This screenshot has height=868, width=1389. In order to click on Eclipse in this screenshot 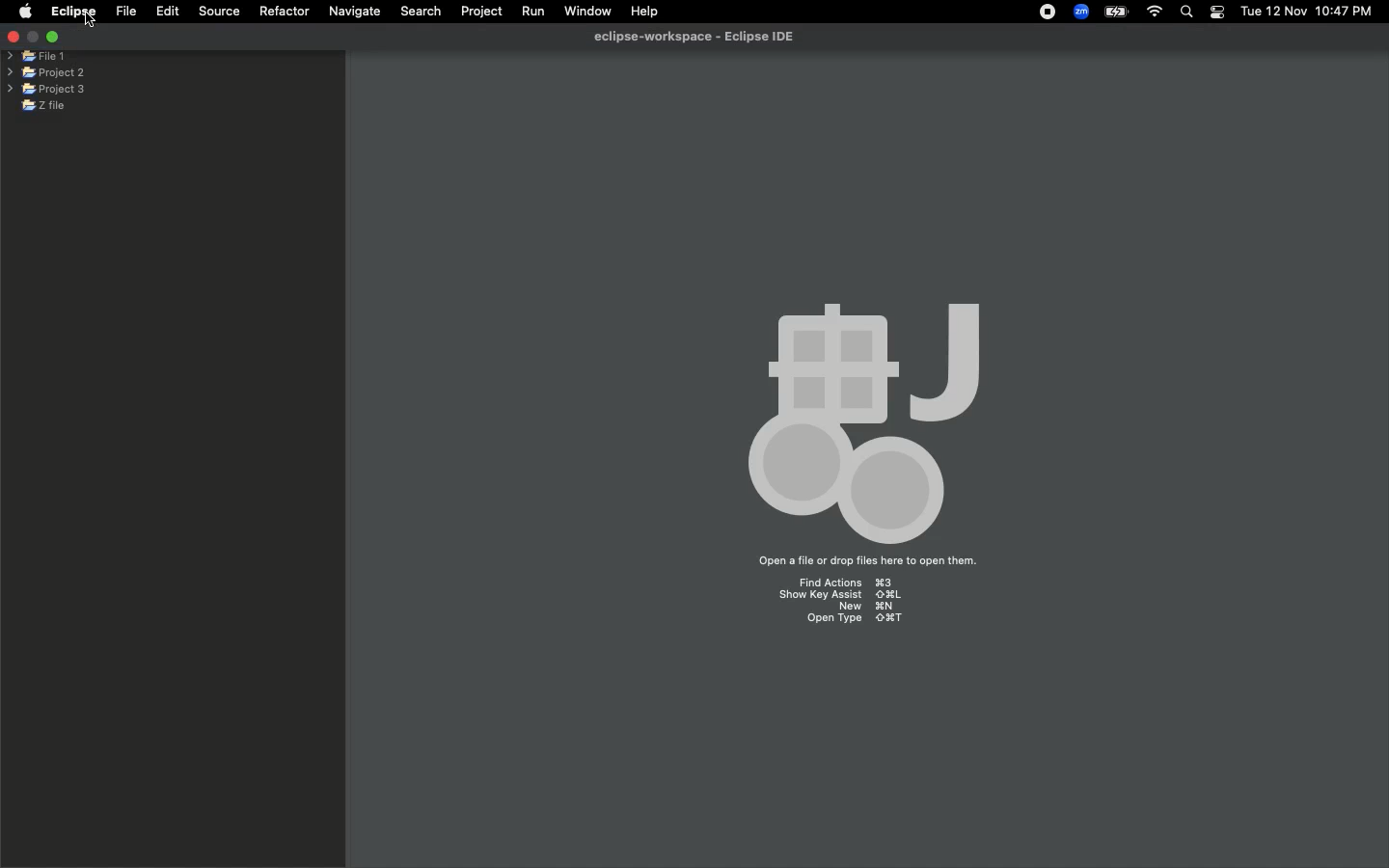, I will do `click(75, 12)`.